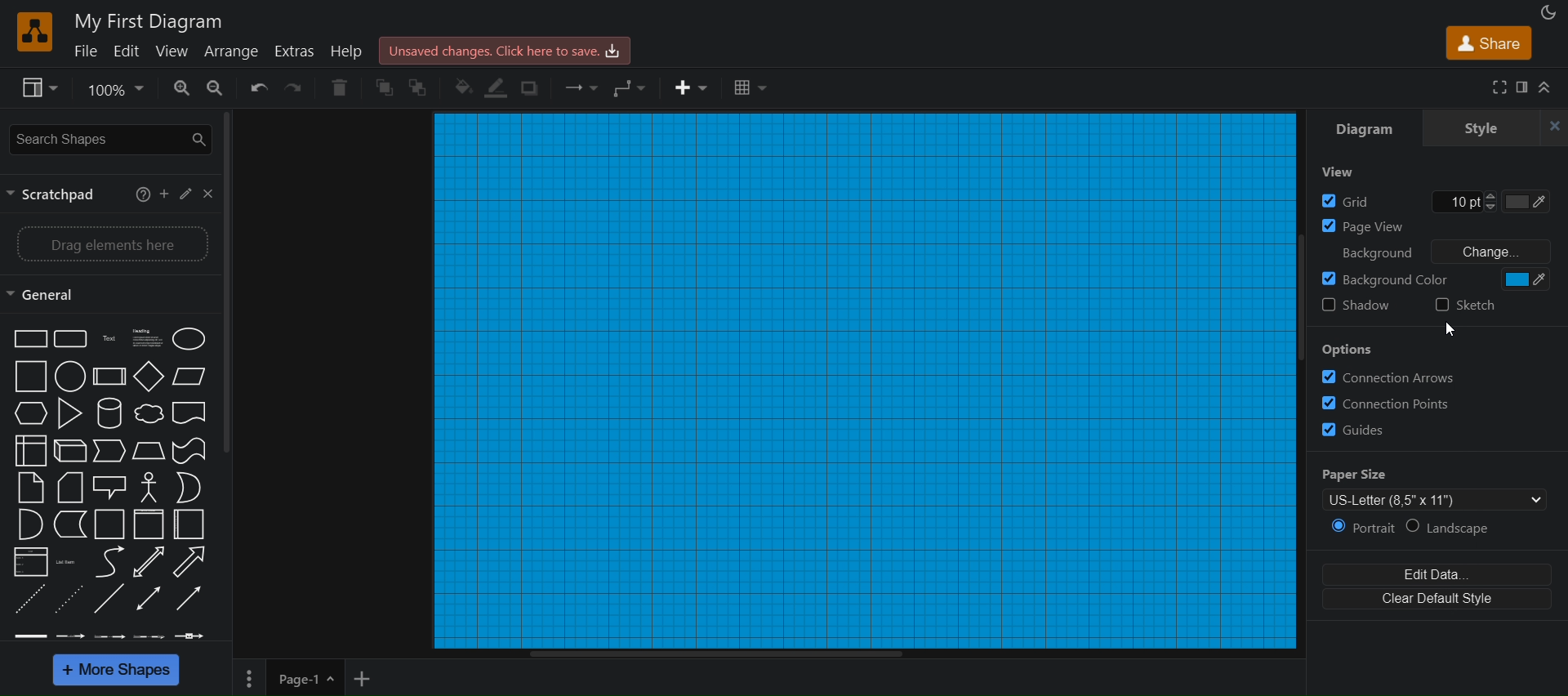 Image resolution: width=1568 pixels, height=696 pixels. What do you see at coordinates (385, 87) in the screenshot?
I see `to front ` at bounding box center [385, 87].